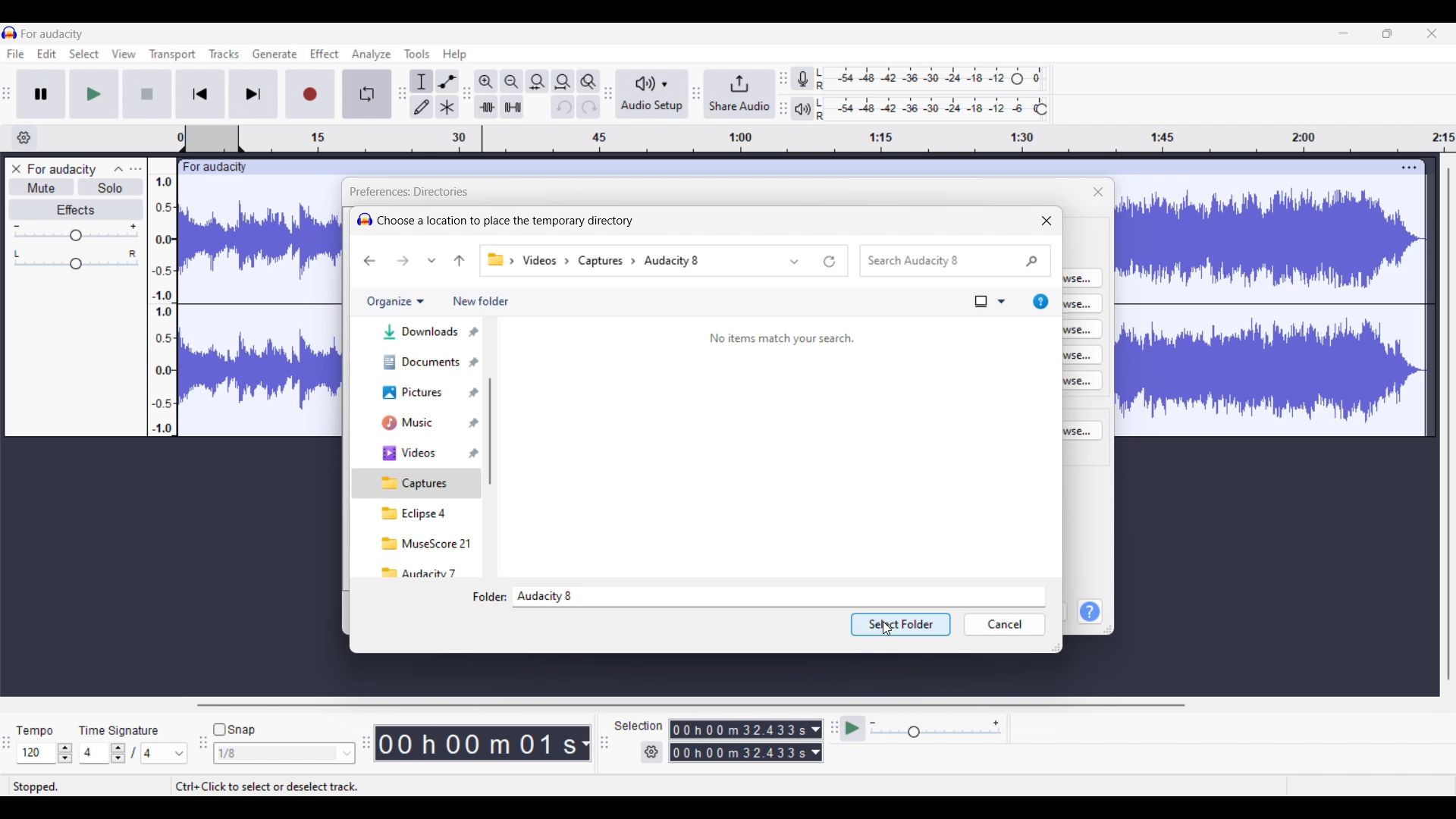 This screenshot has width=1456, height=819. Describe the element at coordinates (17, 169) in the screenshot. I see `Close track` at that location.